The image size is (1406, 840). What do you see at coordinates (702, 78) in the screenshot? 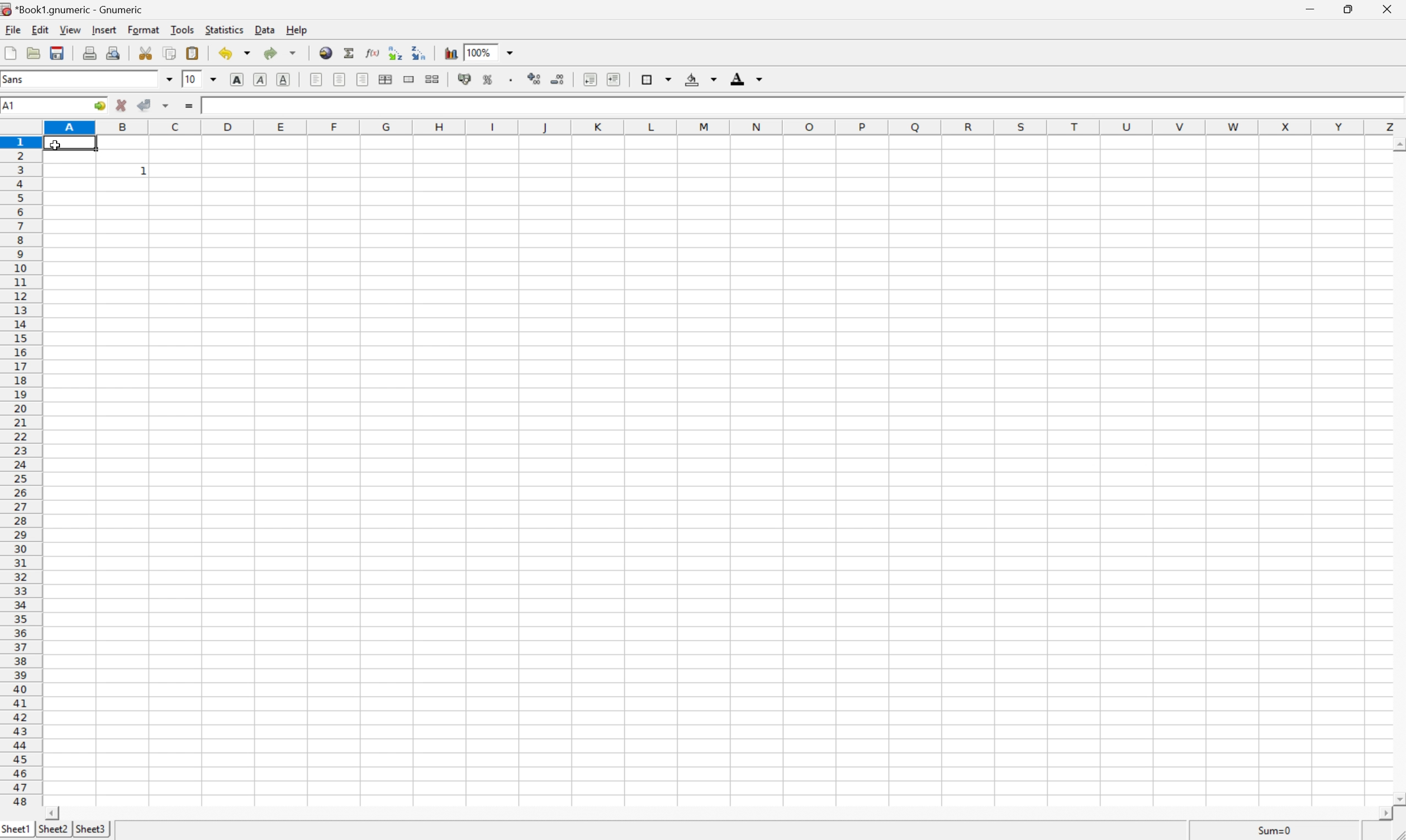
I see `background` at bounding box center [702, 78].